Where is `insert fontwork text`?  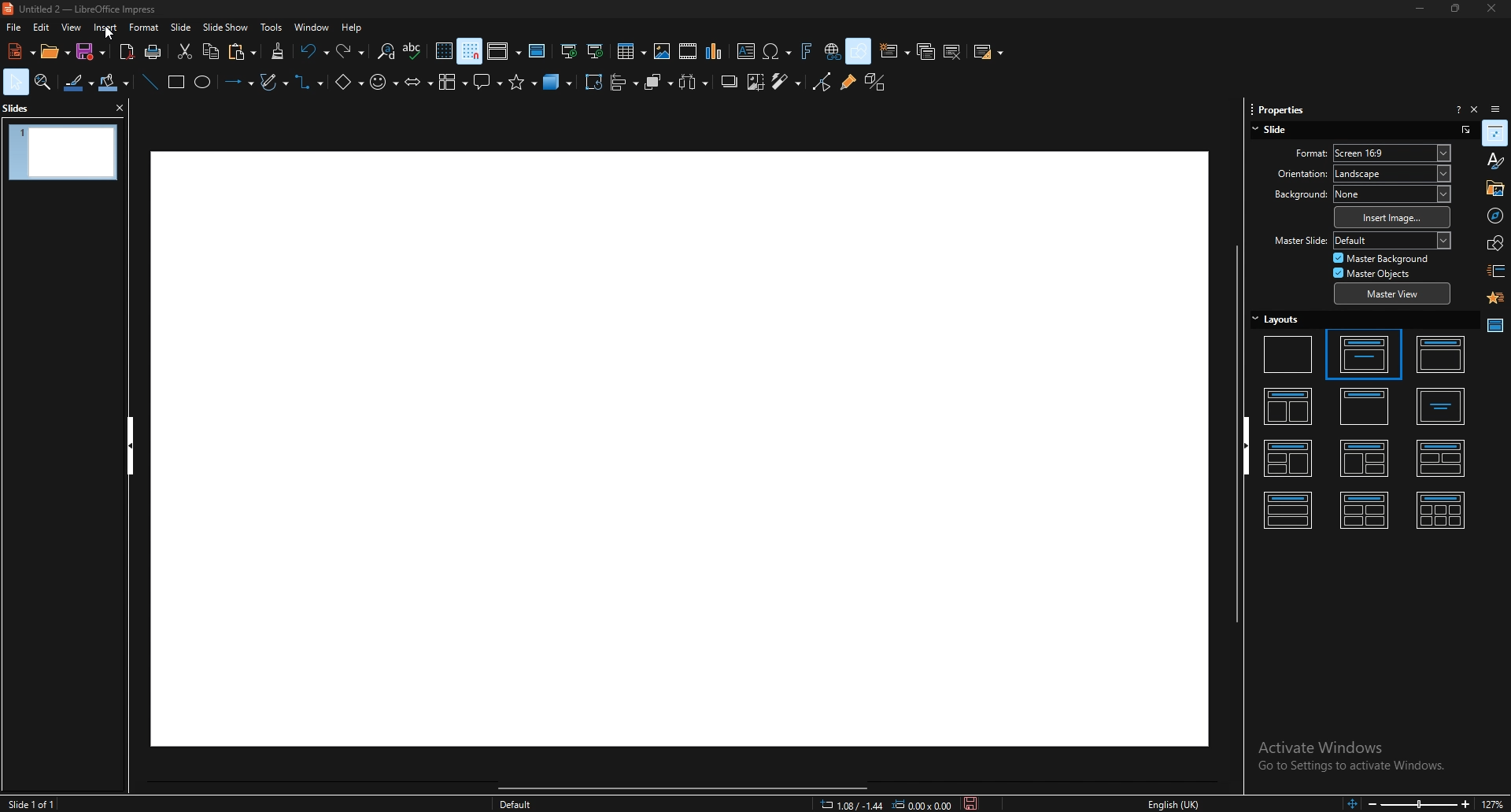
insert fontwork text is located at coordinates (806, 52).